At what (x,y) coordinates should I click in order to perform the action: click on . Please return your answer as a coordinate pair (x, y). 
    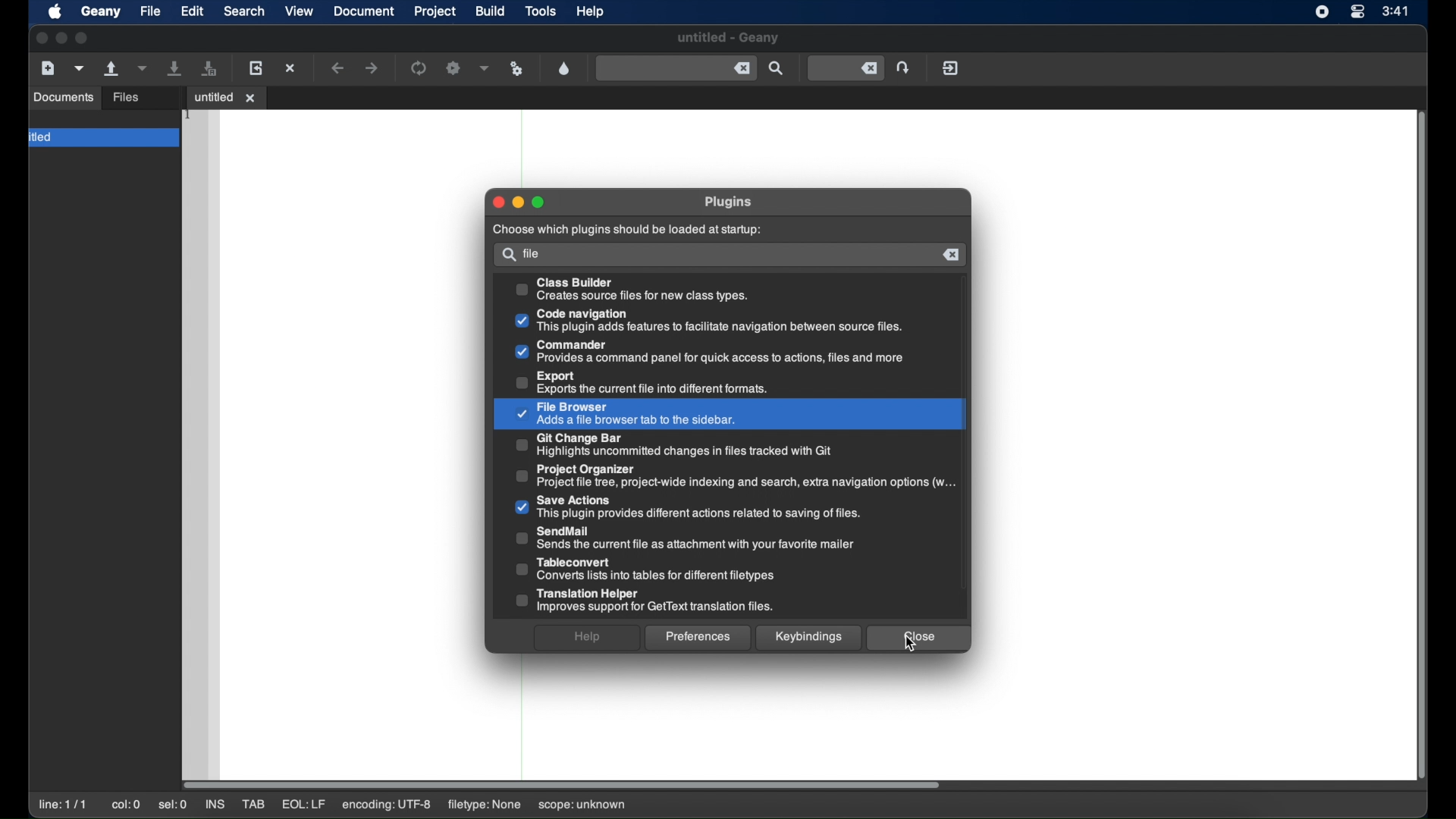
    Looking at the image, I should click on (699, 639).